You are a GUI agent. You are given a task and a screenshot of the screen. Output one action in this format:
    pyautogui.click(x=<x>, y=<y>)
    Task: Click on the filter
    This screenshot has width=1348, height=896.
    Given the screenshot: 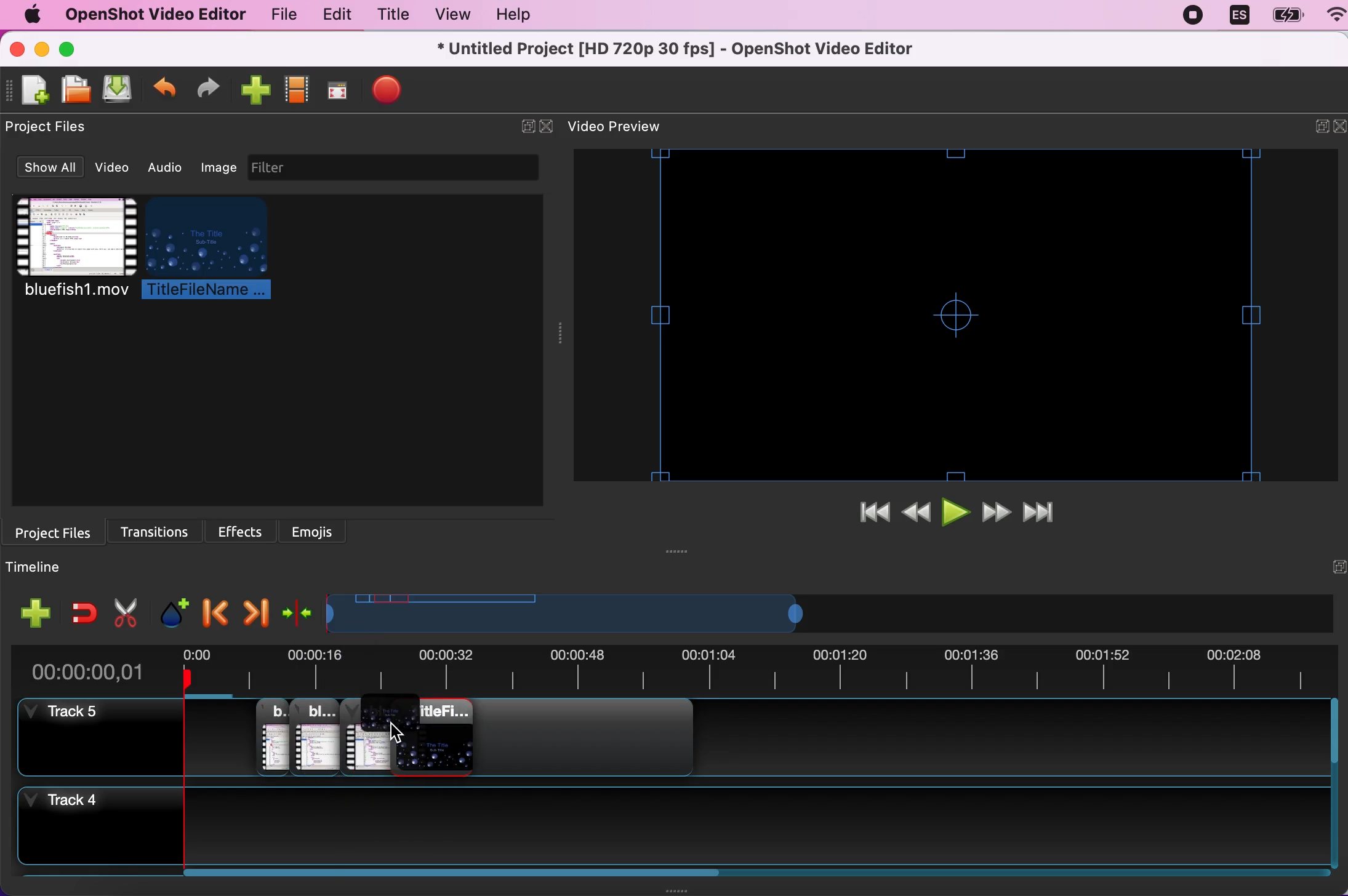 What is the action you would take?
    pyautogui.click(x=406, y=167)
    